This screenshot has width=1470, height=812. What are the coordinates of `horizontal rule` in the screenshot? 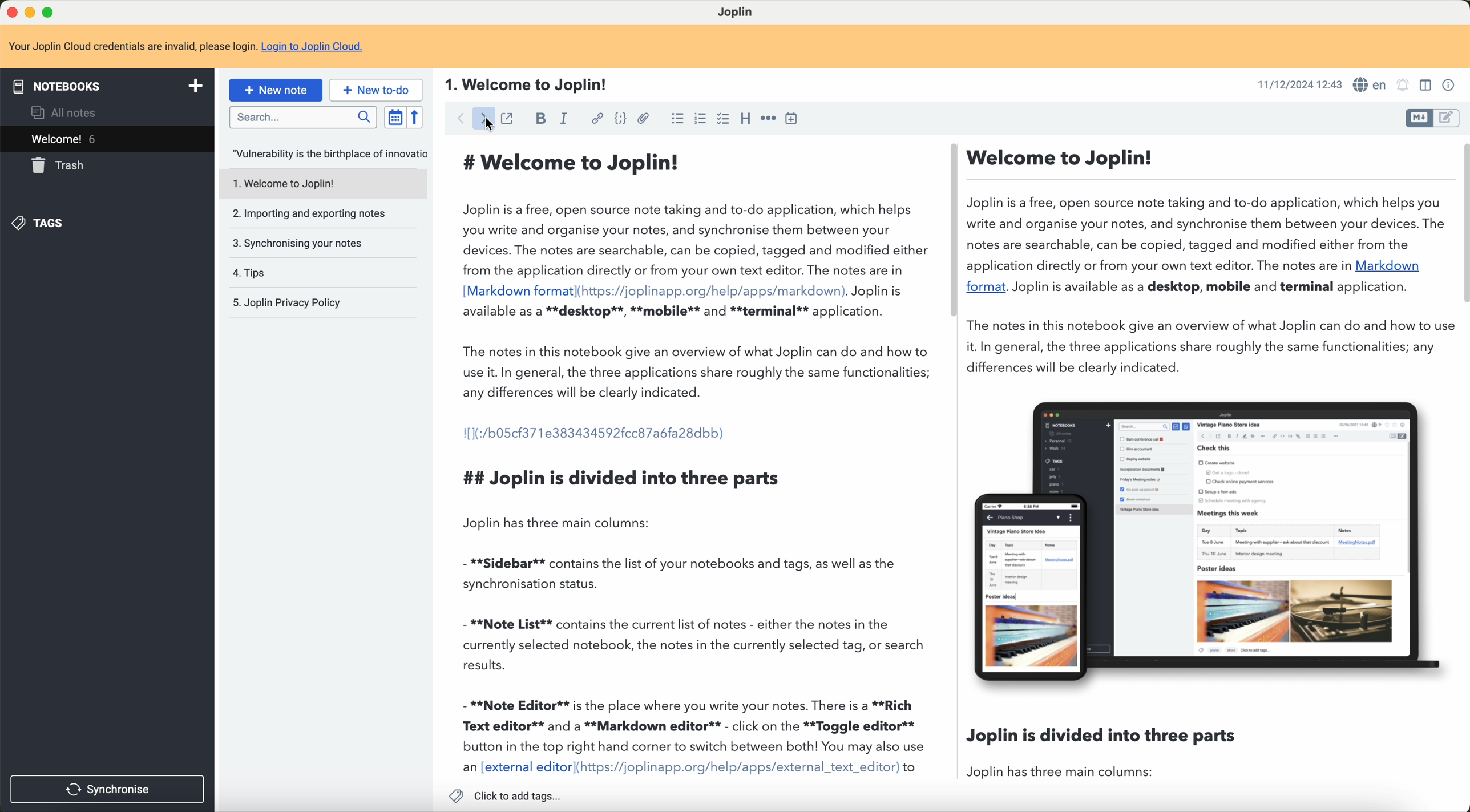 It's located at (767, 117).